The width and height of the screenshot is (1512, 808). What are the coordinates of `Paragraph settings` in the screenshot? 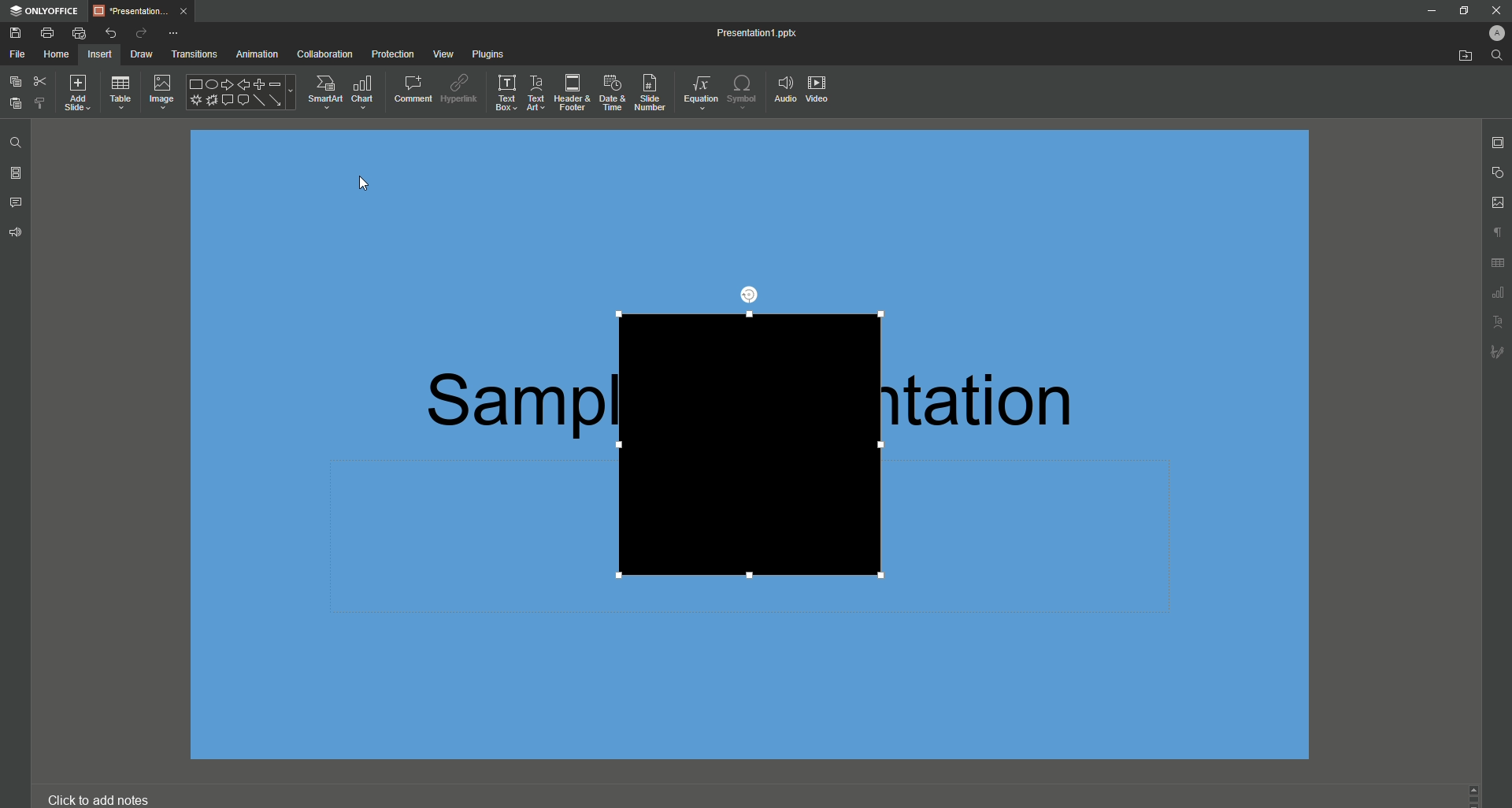 It's located at (1494, 231).